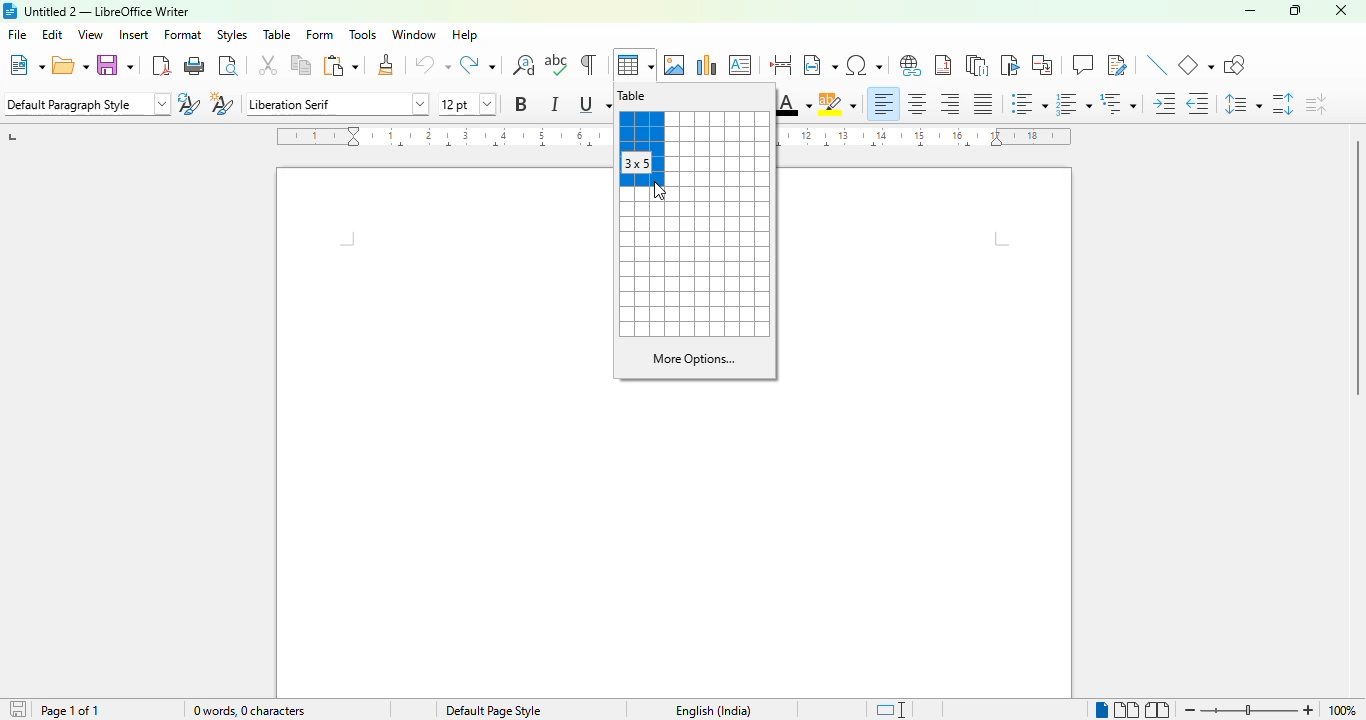 The height and width of the screenshot is (720, 1366). I want to click on basic shapes, so click(1197, 65).